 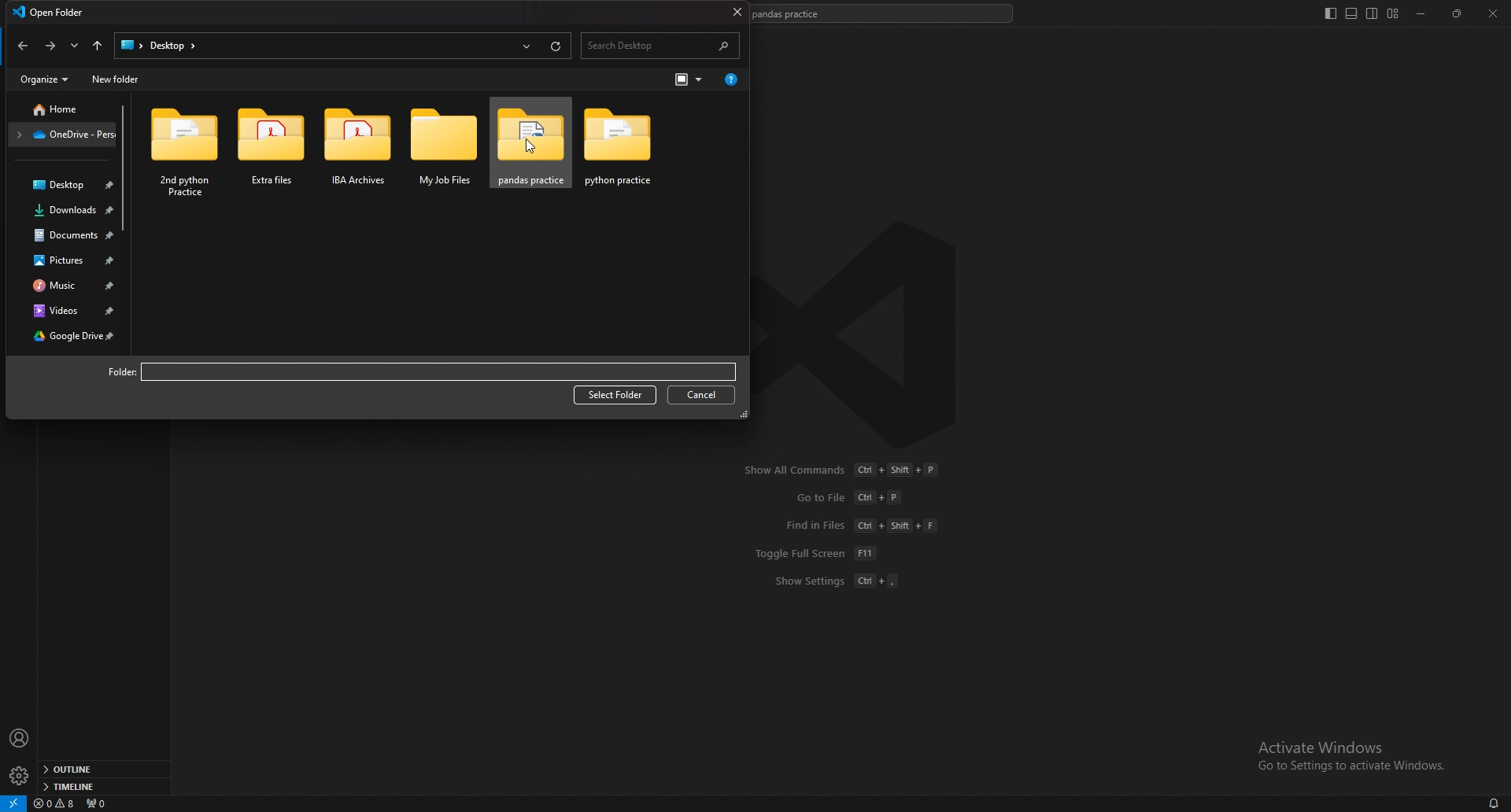 I want to click on ports forwarded, so click(x=96, y=803).